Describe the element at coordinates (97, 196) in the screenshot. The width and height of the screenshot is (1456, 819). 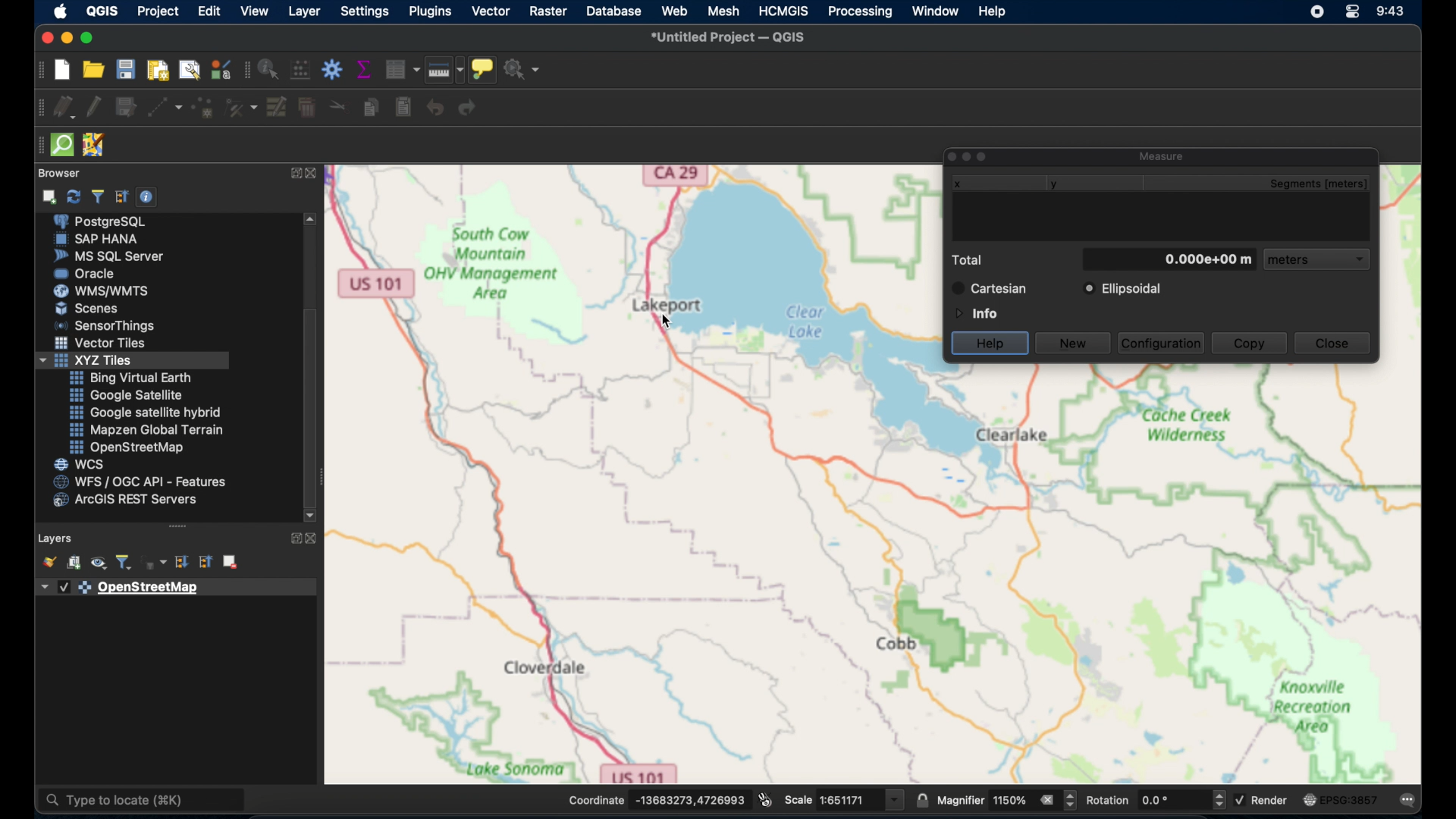
I see `filter browser` at that location.